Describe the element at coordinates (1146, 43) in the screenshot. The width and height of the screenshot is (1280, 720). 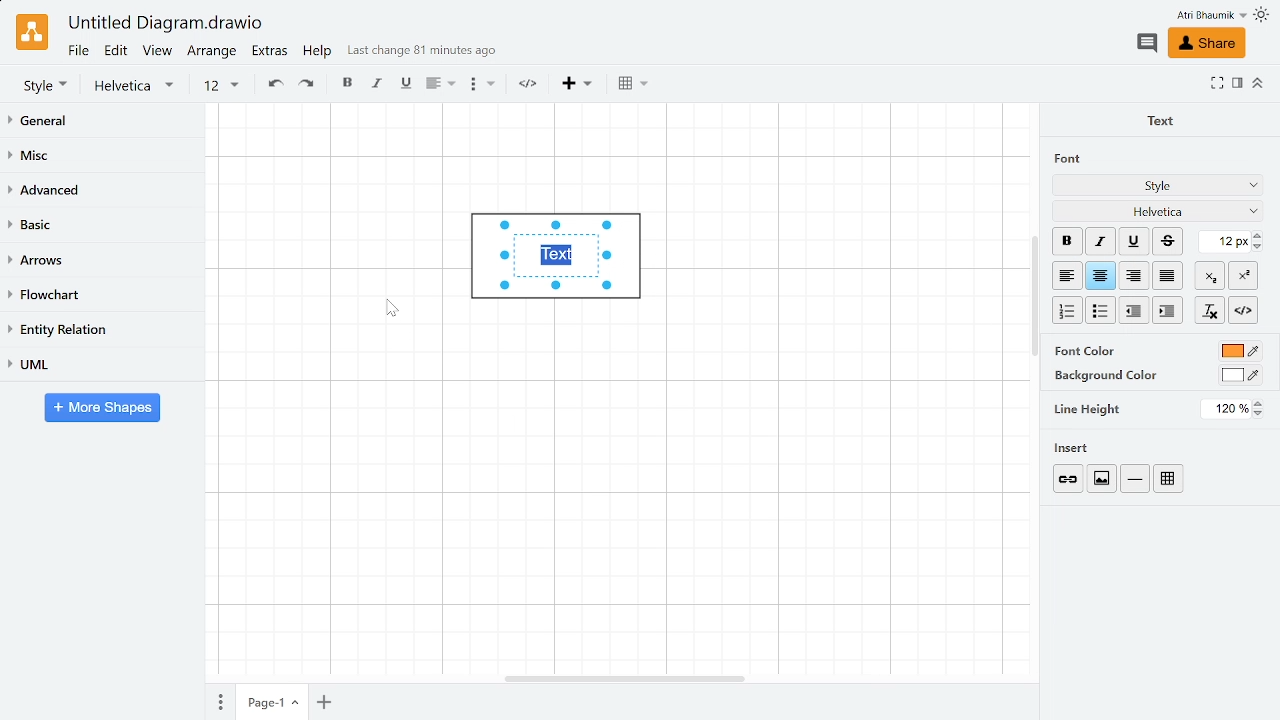
I see `Comment` at that location.